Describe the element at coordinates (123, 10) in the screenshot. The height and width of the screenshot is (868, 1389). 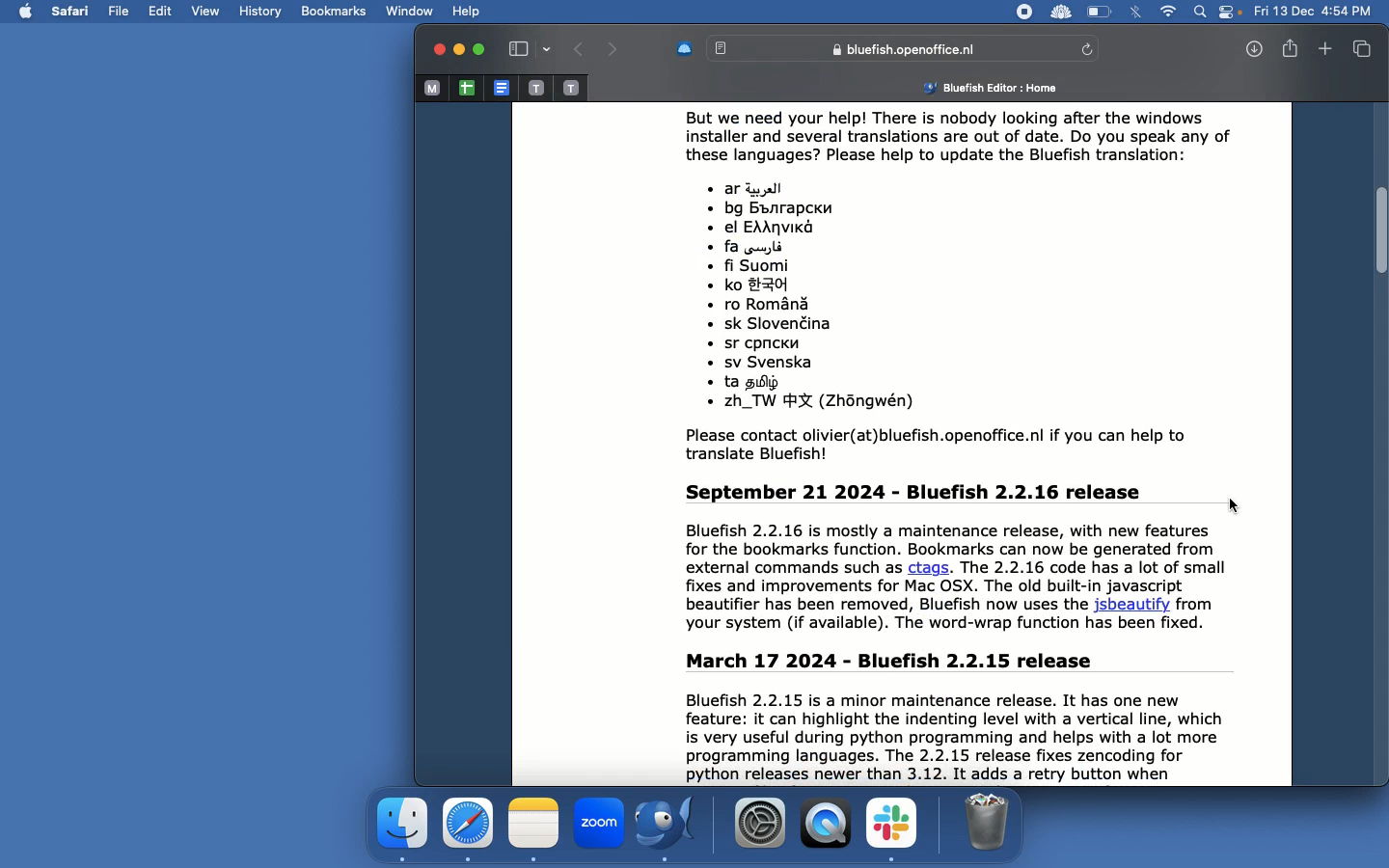
I see `File` at that location.